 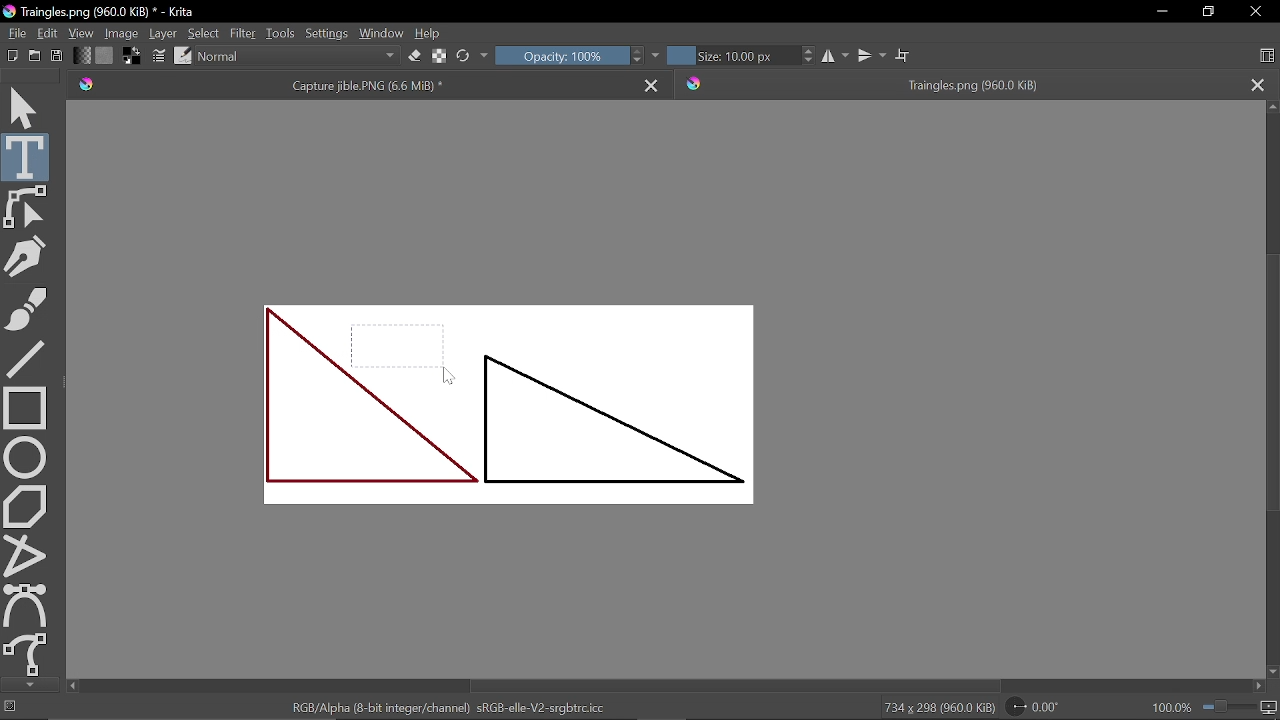 What do you see at coordinates (1254, 12) in the screenshot?
I see `Close window` at bounding box center [1254, 12].